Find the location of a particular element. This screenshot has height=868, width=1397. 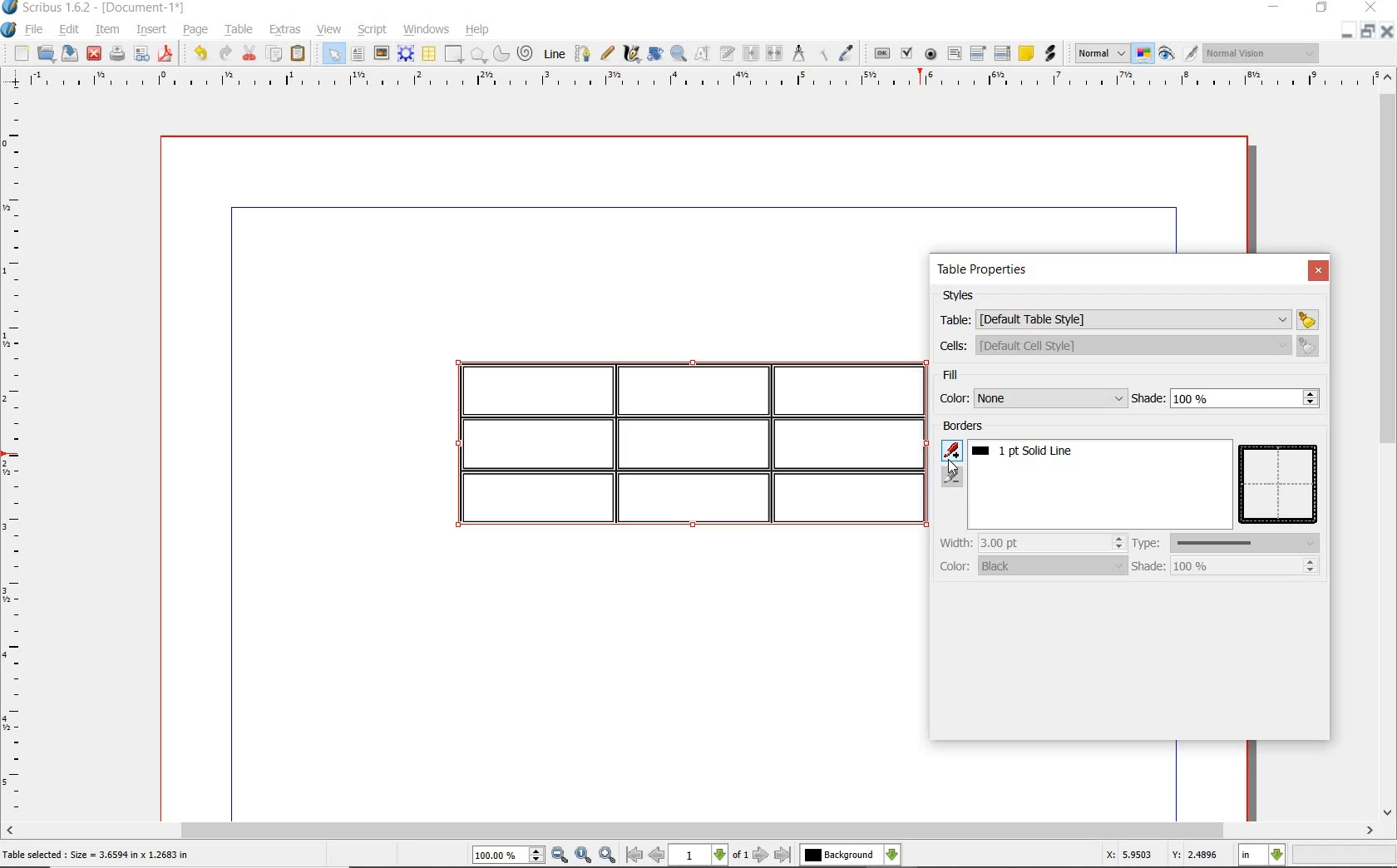

scrollbar is located at coordinates (698, 831).